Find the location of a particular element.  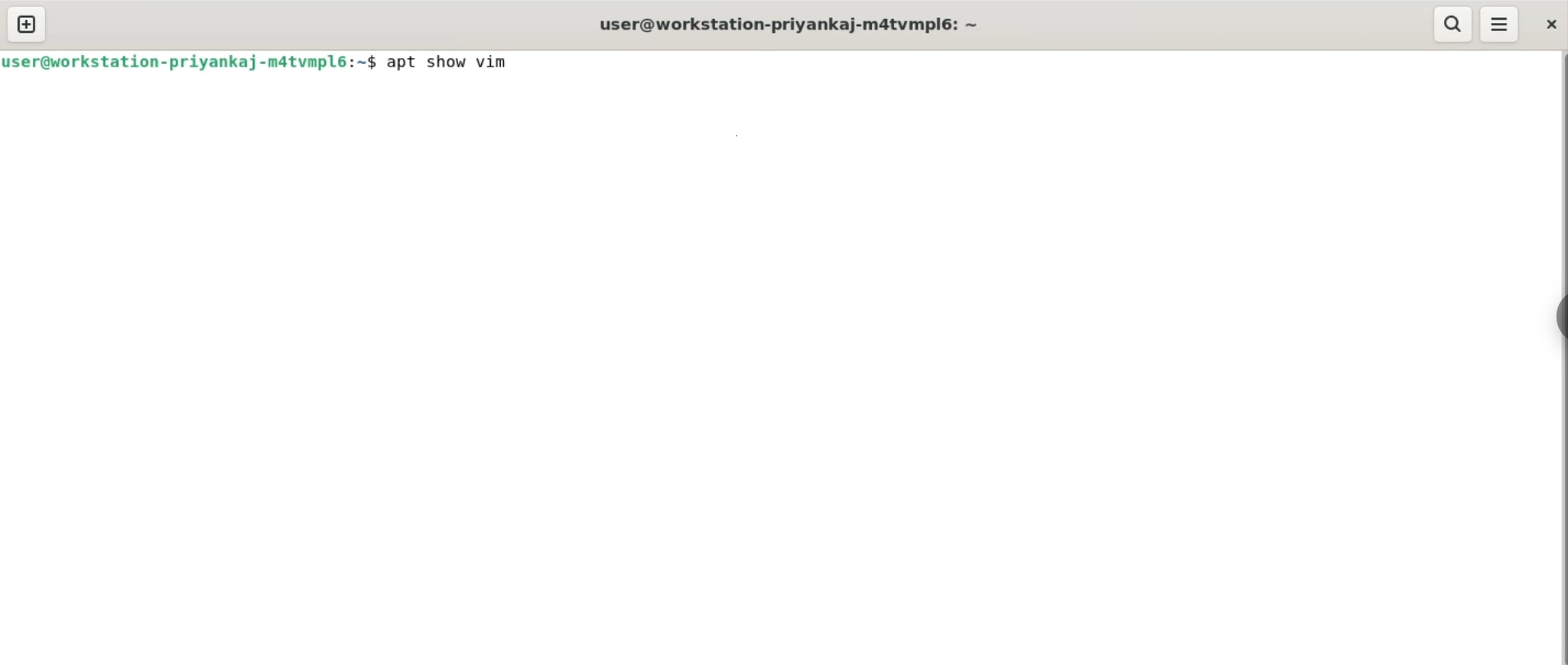

search is located at coordinates (1453, 24).